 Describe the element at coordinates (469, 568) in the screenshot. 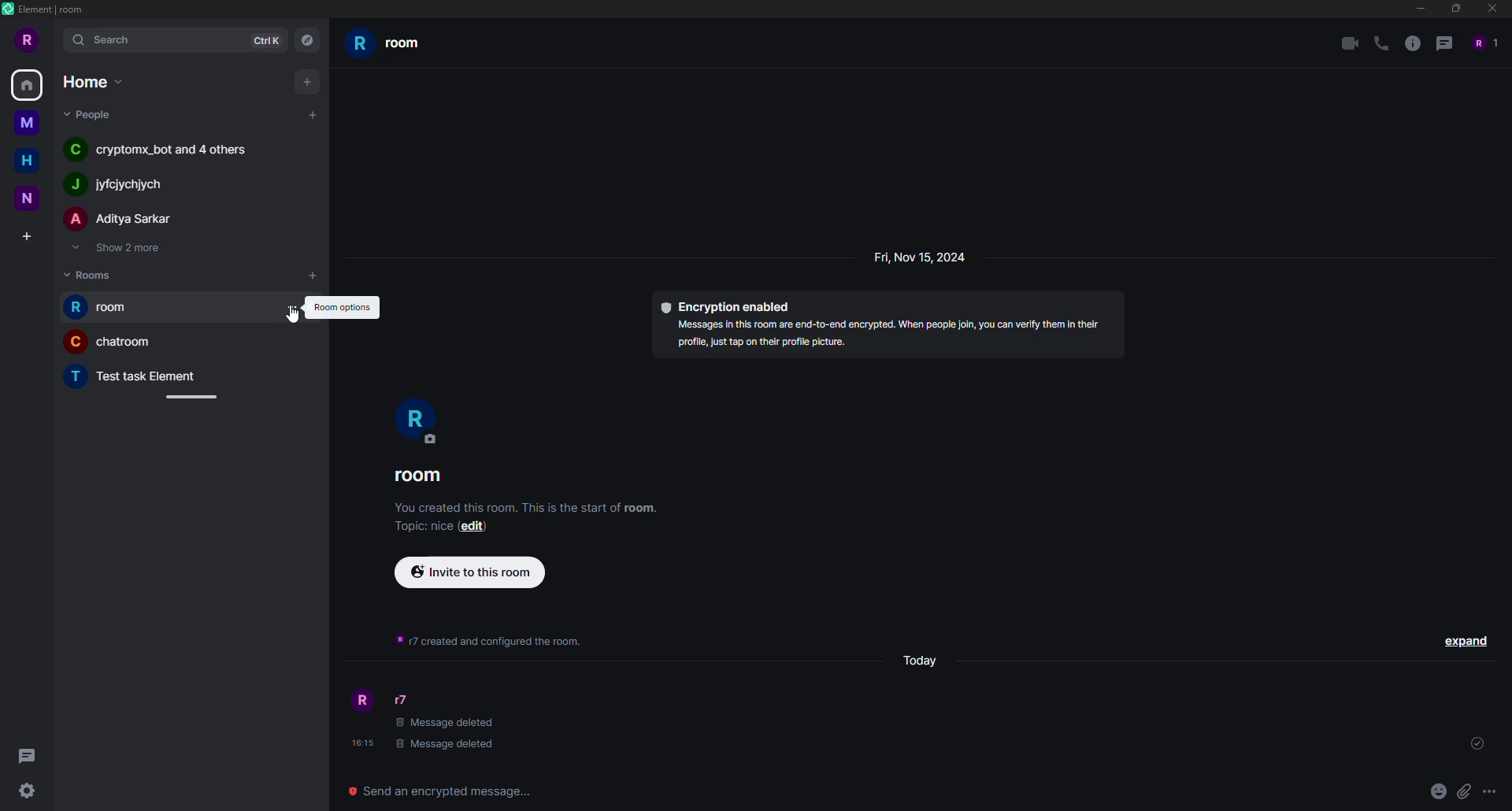

I see `invite to this room` at that location.